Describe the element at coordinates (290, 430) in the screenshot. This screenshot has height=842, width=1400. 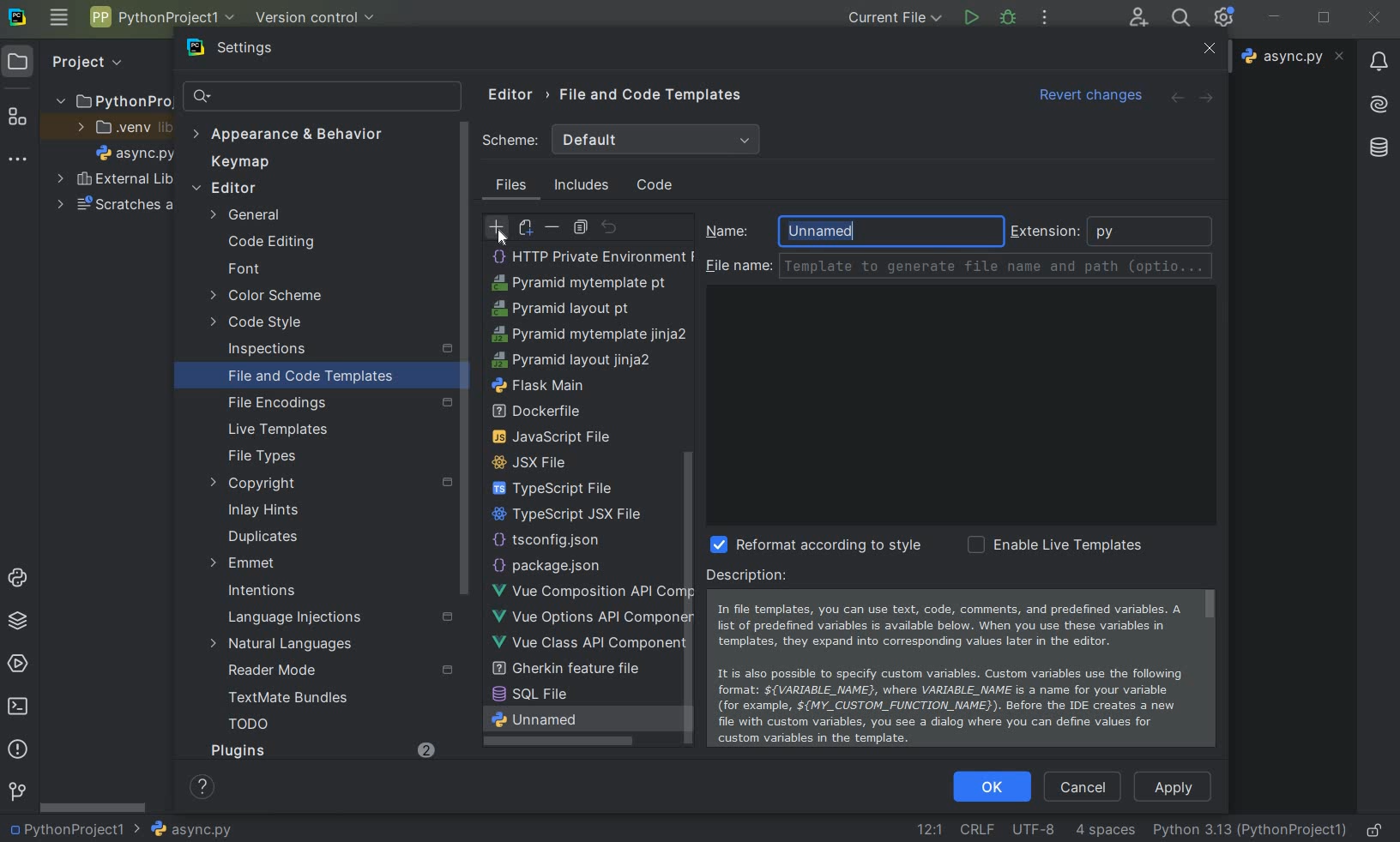
I see `live templates` at that location.